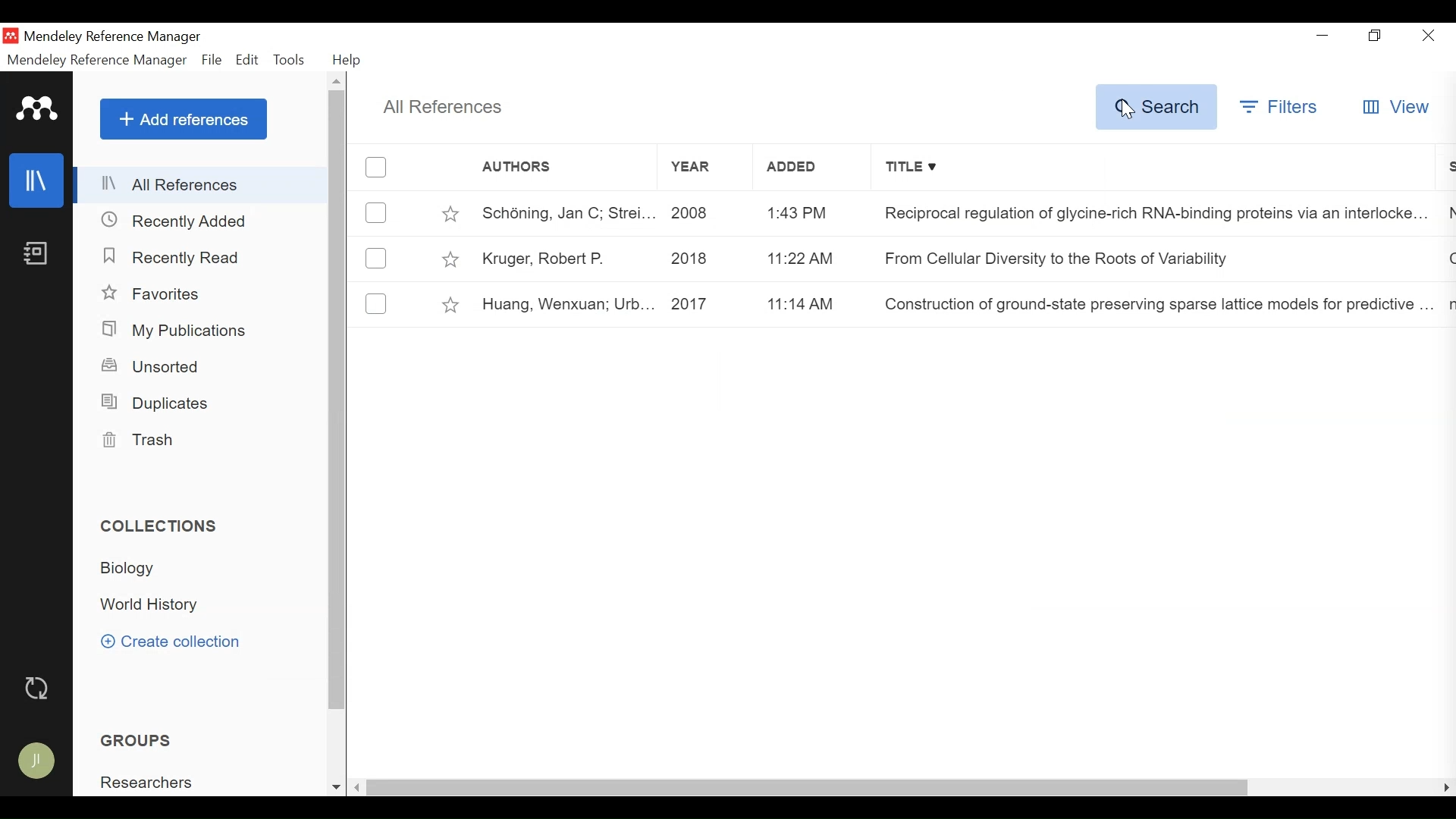 This screenshot has height=819, width=1456. Describe the element at coordinates (1060, 257) in the screenshot. I see `From Cellular Diversity to the Roots of Variability` at that location.